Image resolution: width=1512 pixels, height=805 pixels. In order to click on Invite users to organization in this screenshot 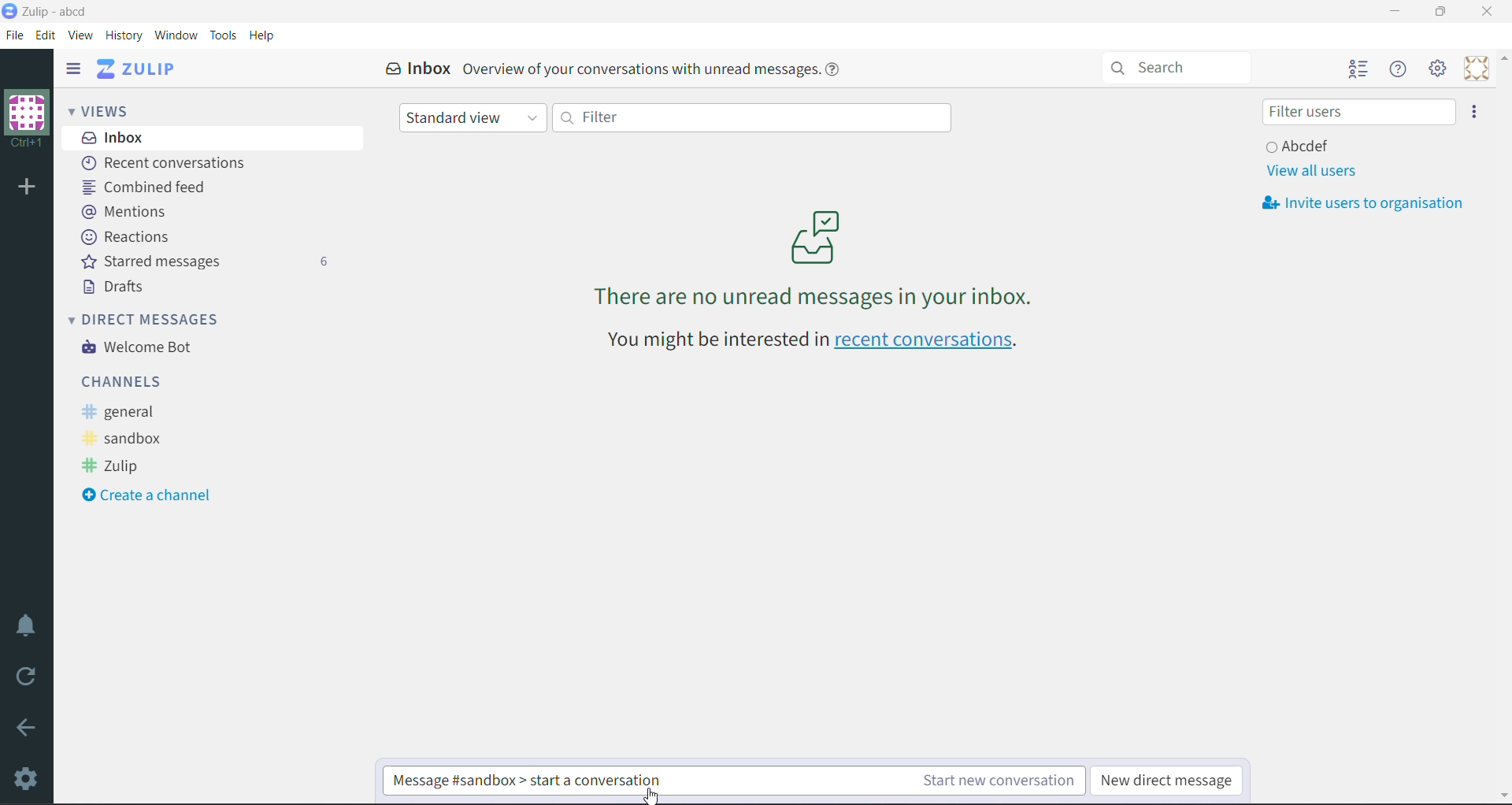, I will do `click(1475, 112)`.